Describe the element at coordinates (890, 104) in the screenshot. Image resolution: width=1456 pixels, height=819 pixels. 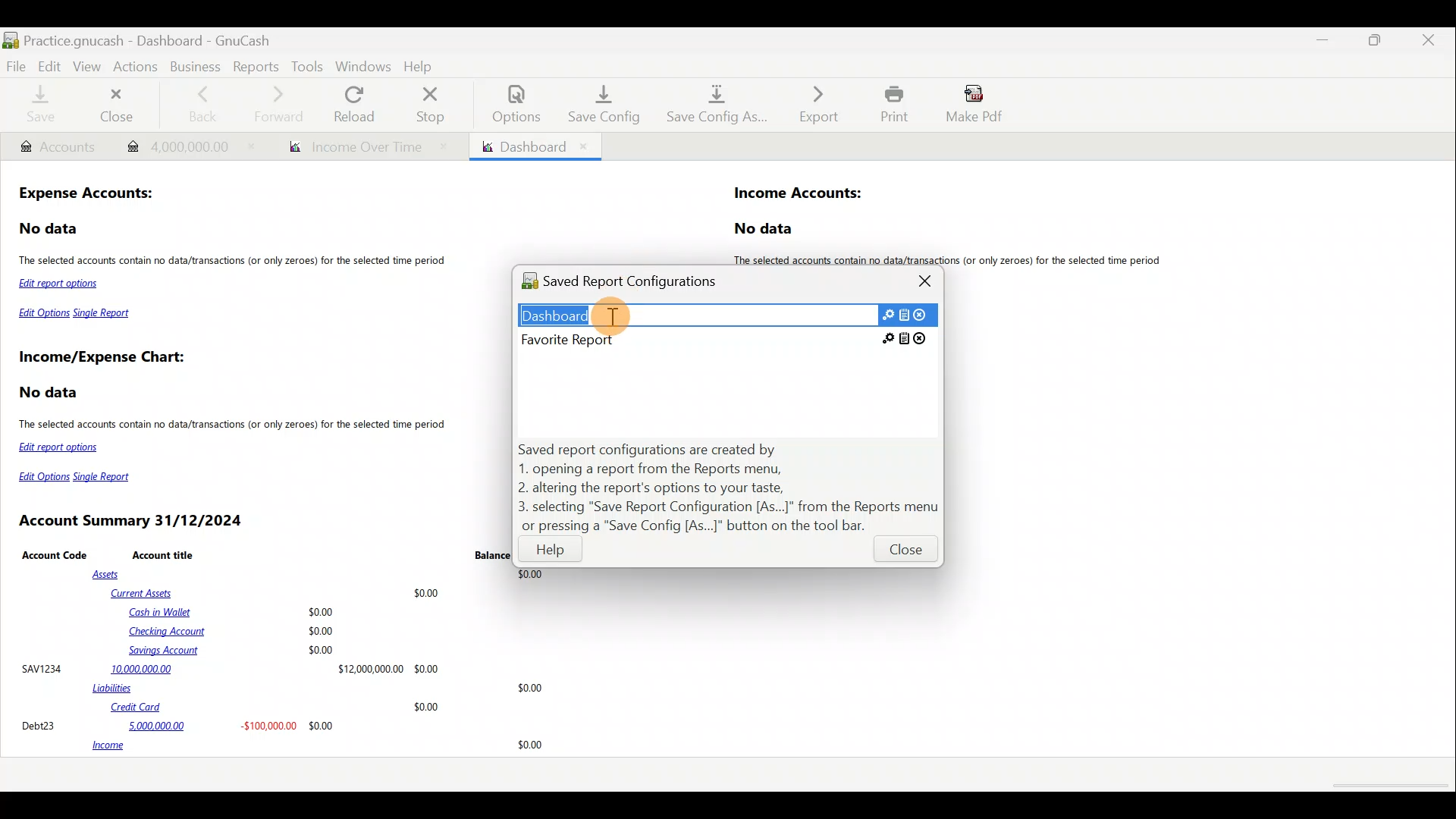
I see `Print` at that location.